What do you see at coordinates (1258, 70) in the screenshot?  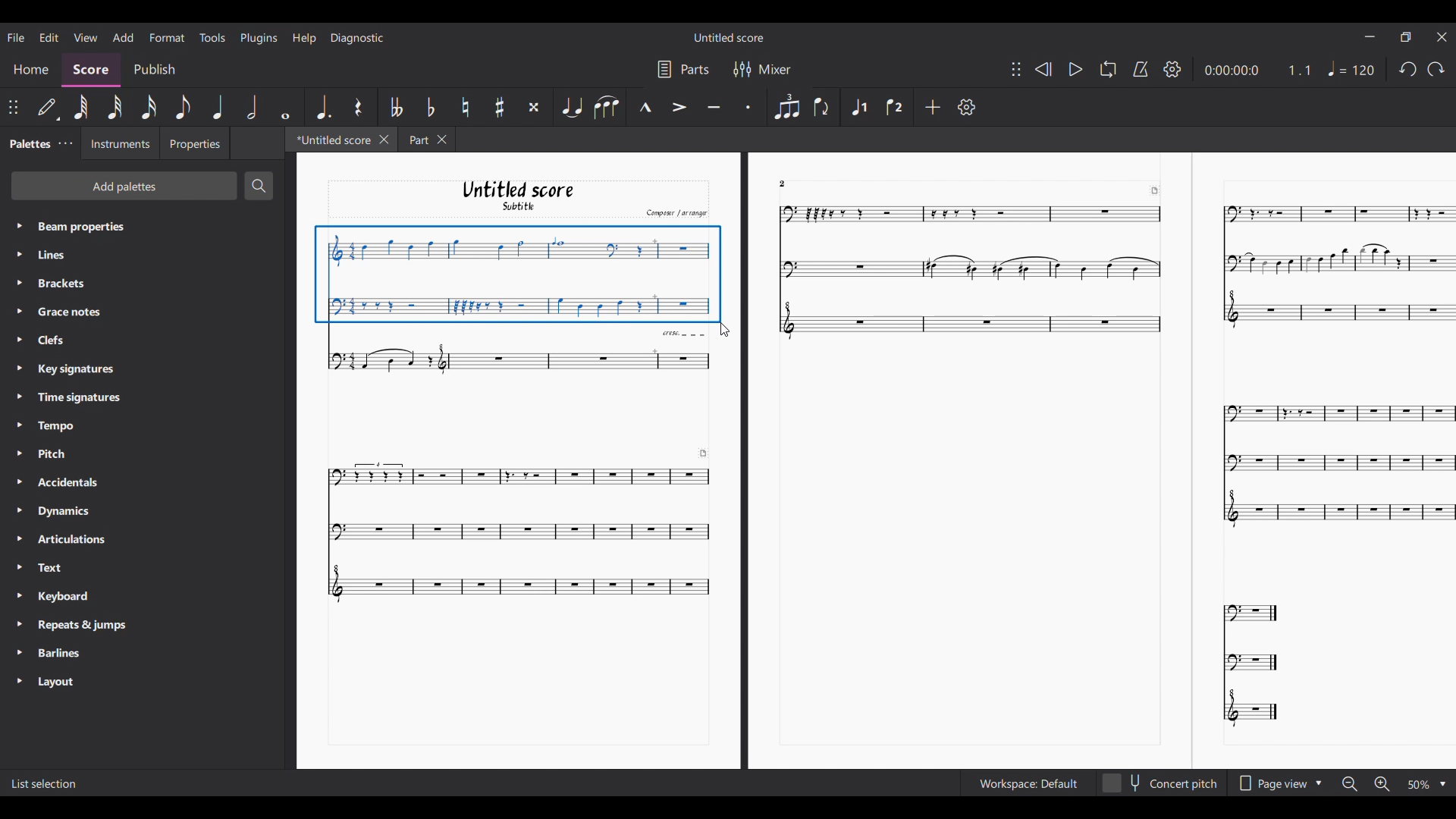 I see `Current duration and ratio` at bounding box center [1258, 70].